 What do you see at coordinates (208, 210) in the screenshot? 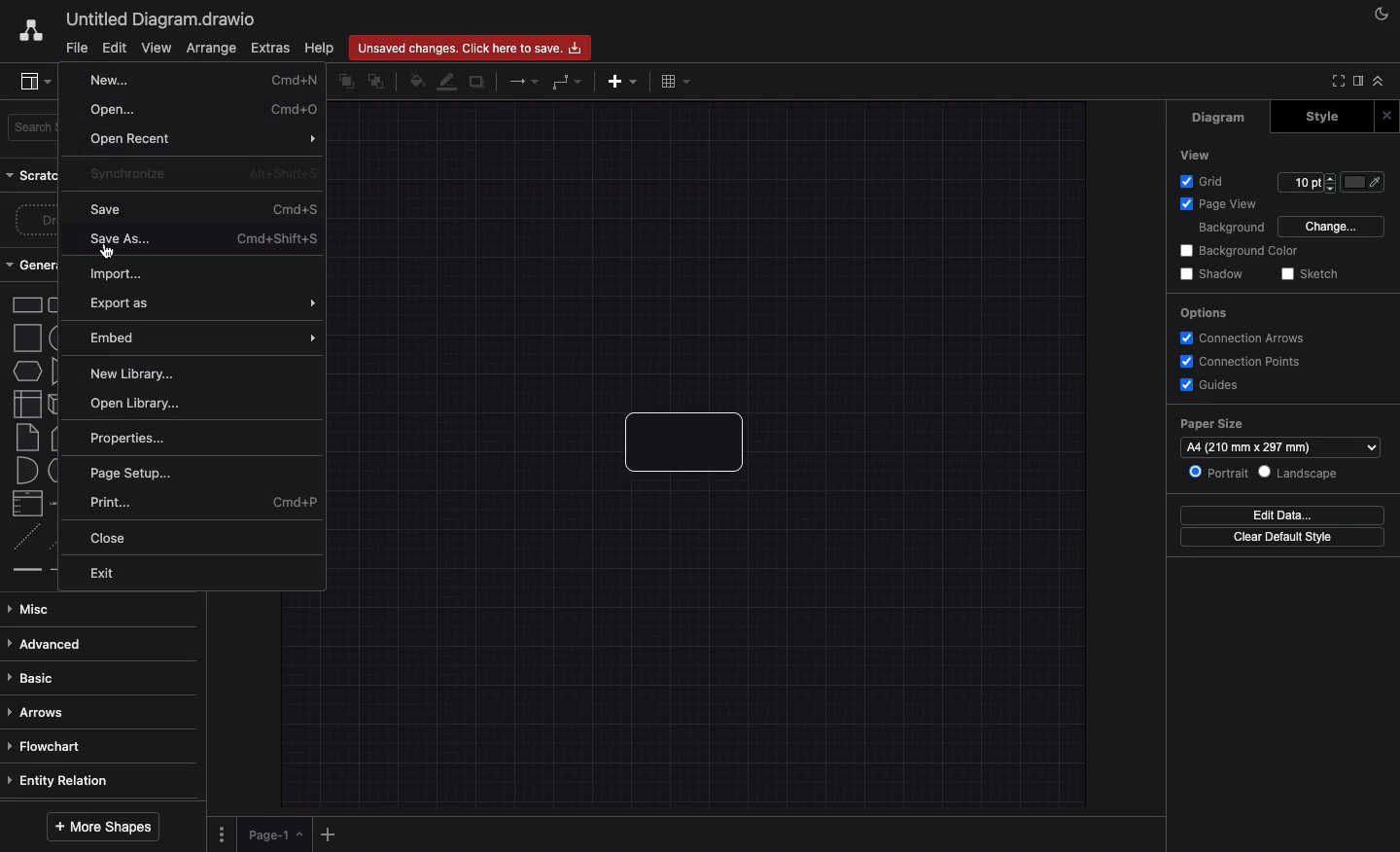
I see `Save` at bounding box center [208, 210].